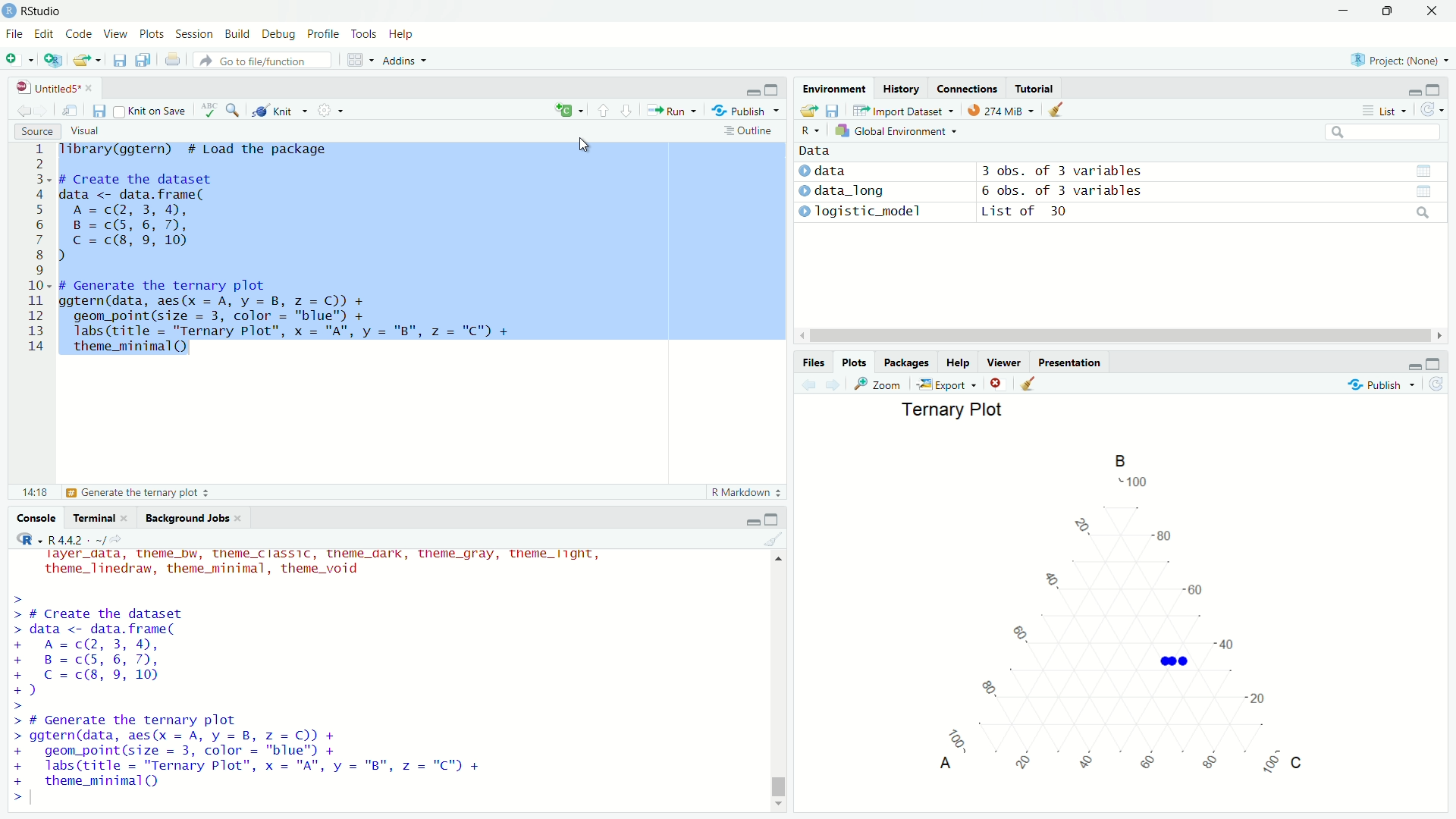 Image resolution: width=1456 pixels, height=819 pixels. I want to click on Debug, so click(275, 35).